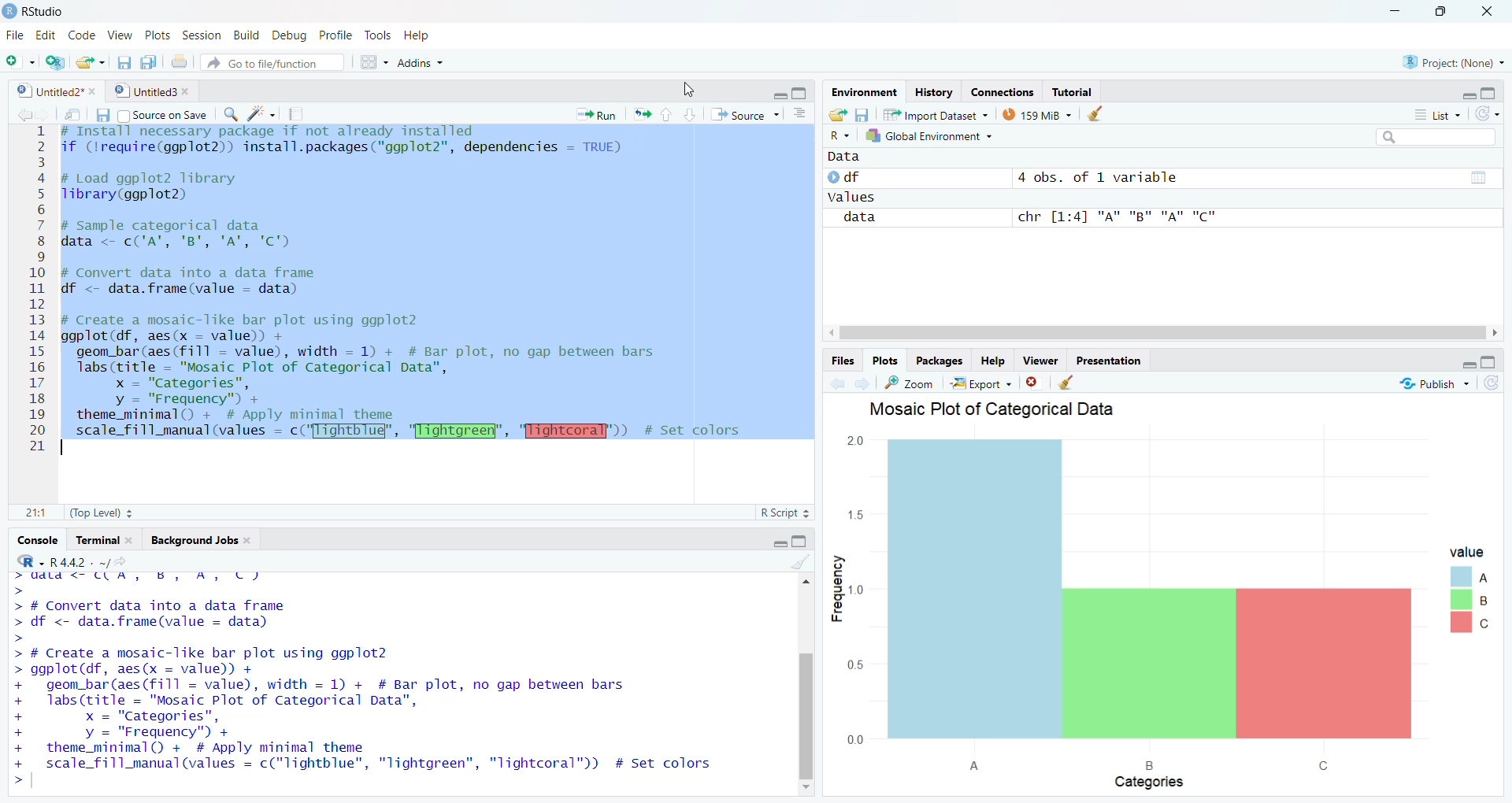 Image resolution: width=1512 pixels, height=803 pixels. What do you see at coordinates (36, 513) in the screenshot?
I see `1:1` at bounding box center [36, 513].